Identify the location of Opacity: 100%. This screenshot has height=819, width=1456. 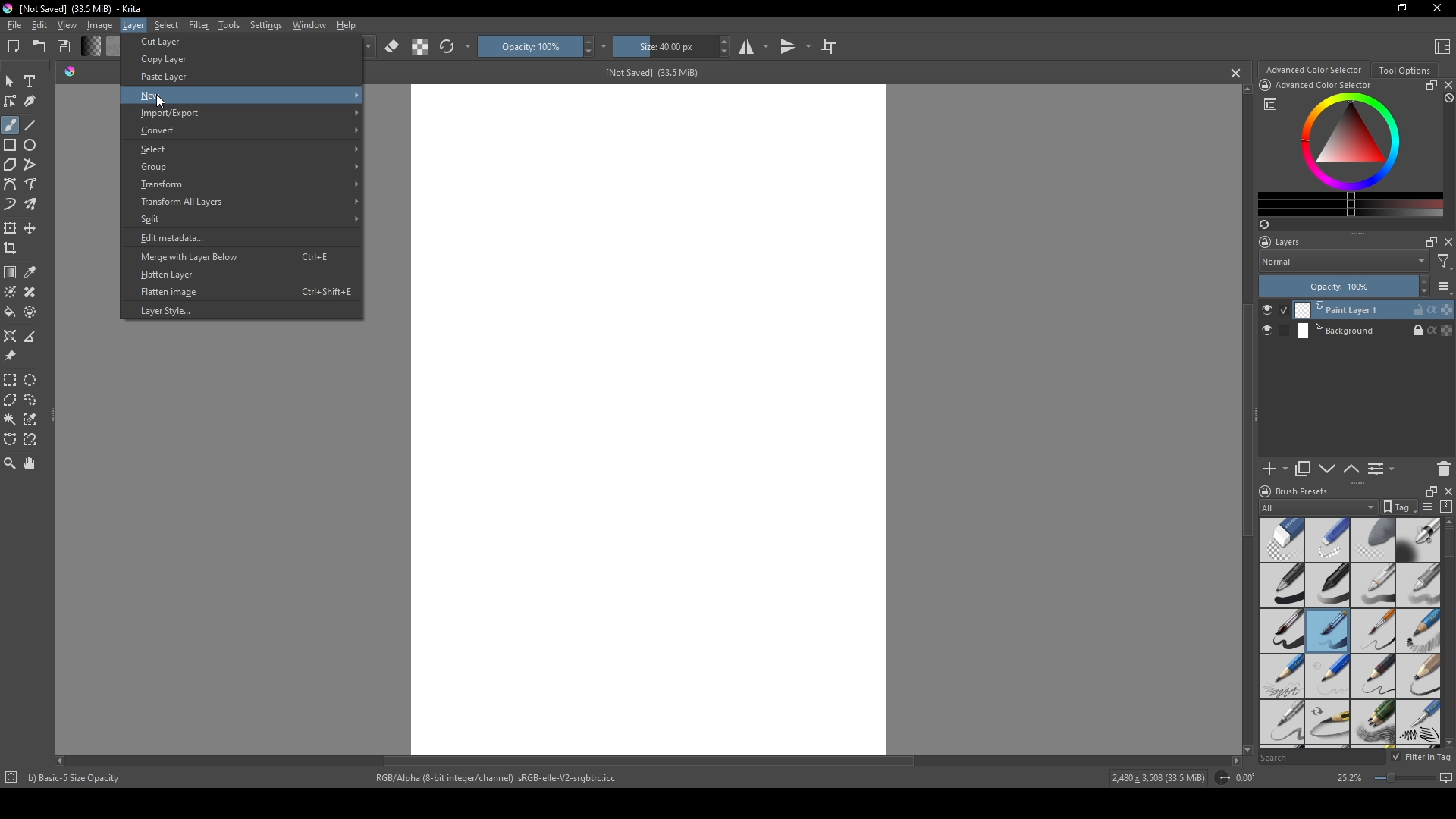
(1335, 287).